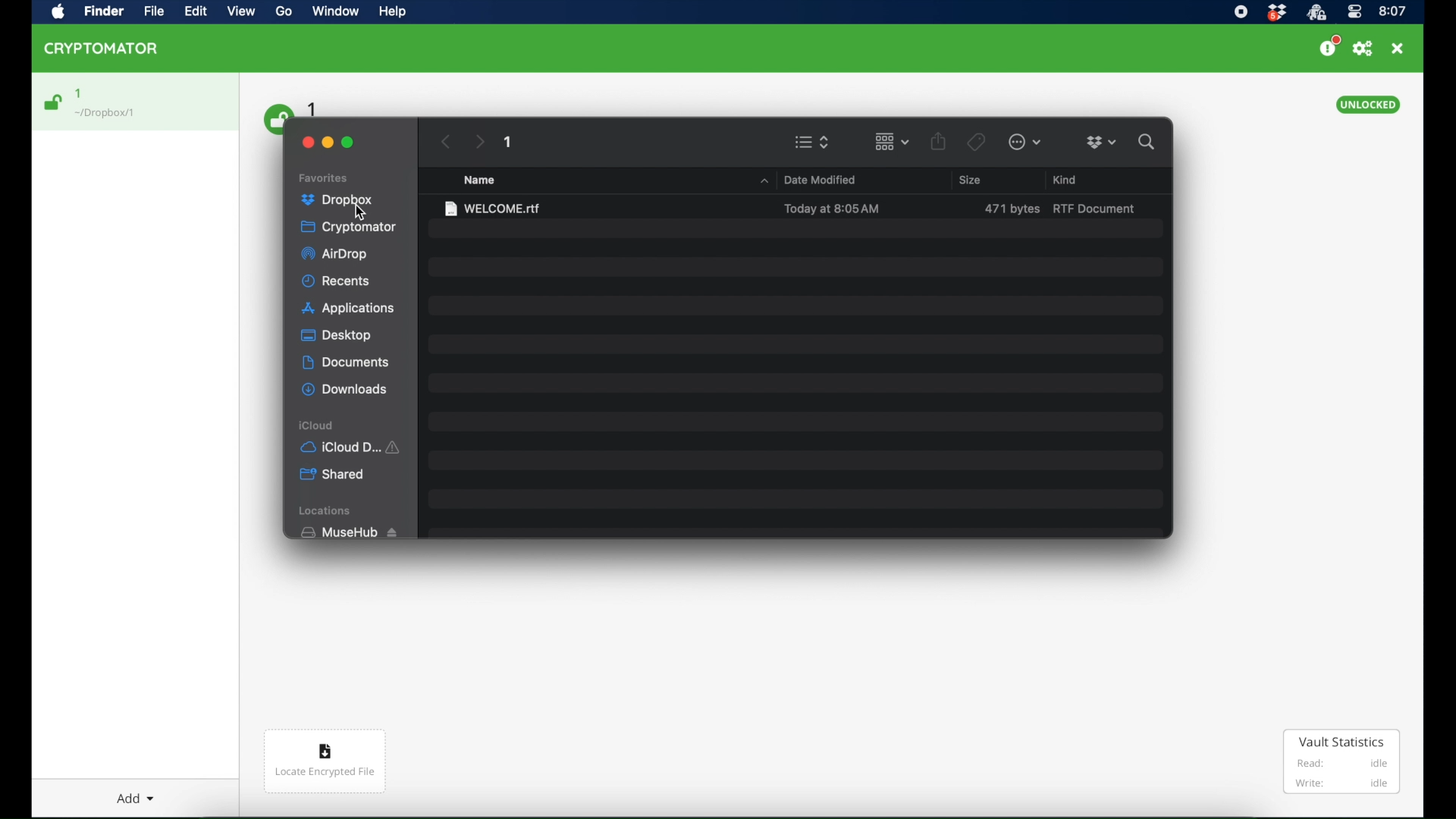 This screenshot has width=1456, height=819. I want to click on more options, so click(1025, 142).